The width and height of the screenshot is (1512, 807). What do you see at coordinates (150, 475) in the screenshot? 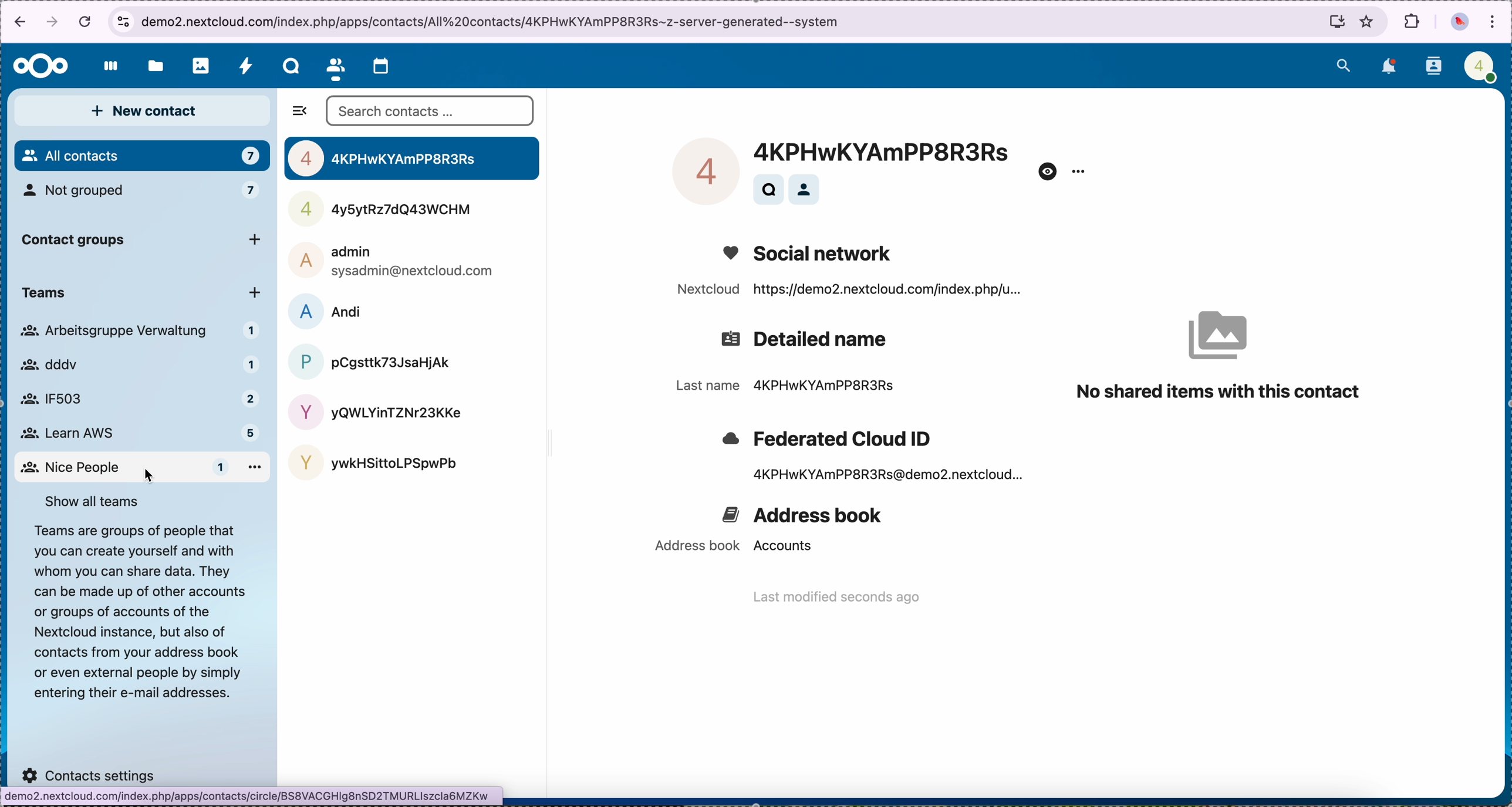
I see `cursor` at bounding box center [150, 475].